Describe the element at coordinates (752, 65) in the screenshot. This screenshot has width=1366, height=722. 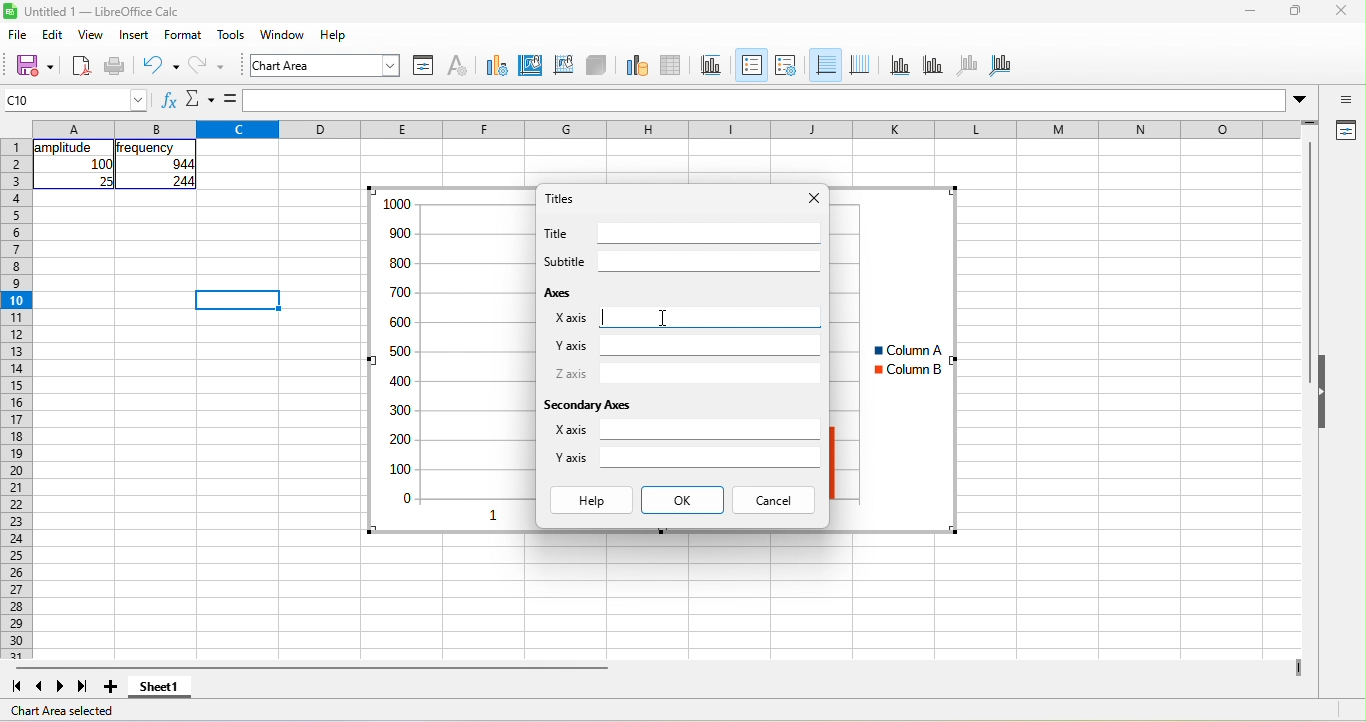
I see `legend on\off` at that location.